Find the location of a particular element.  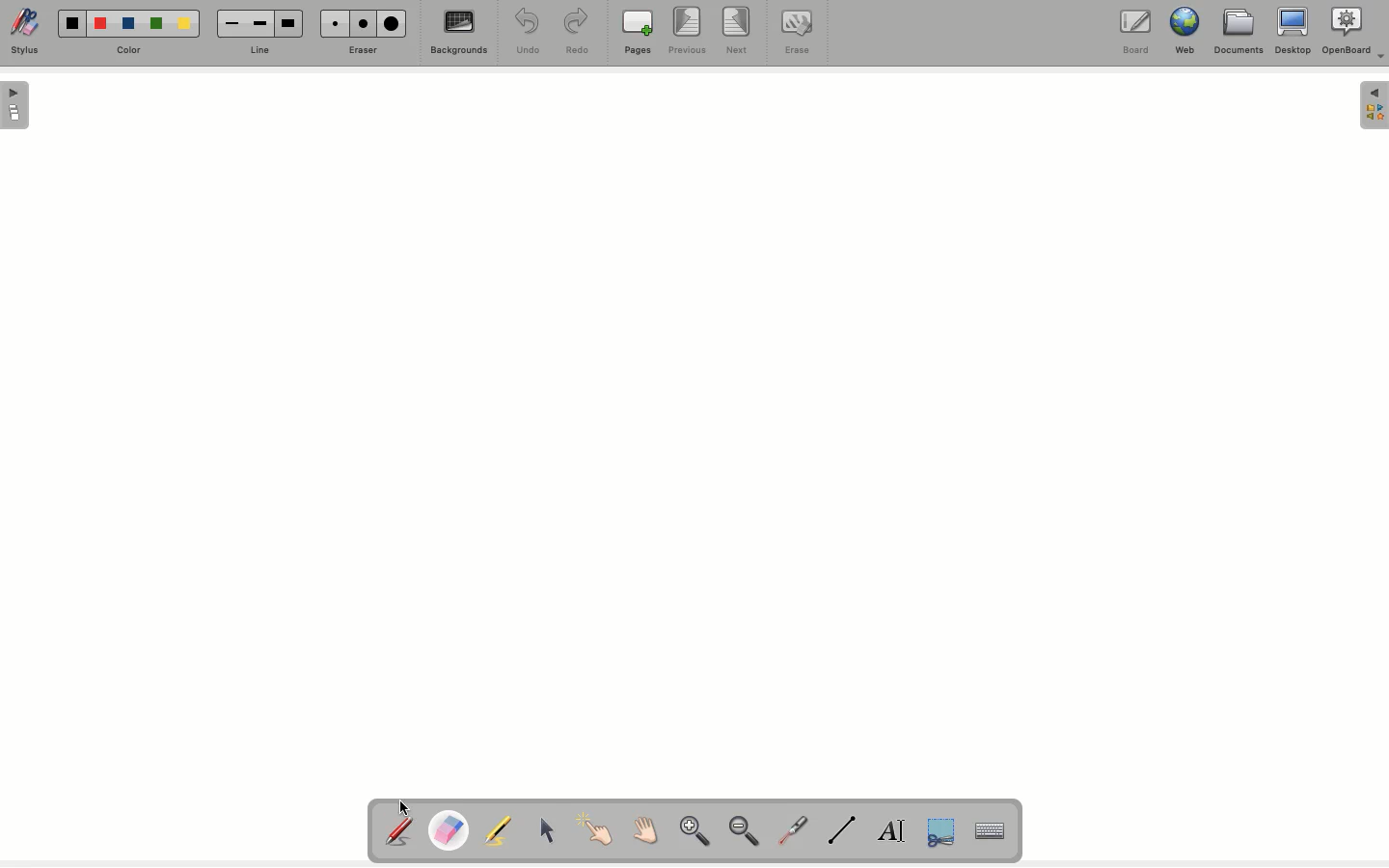

Zoom out is located at coordinates (749, 833).